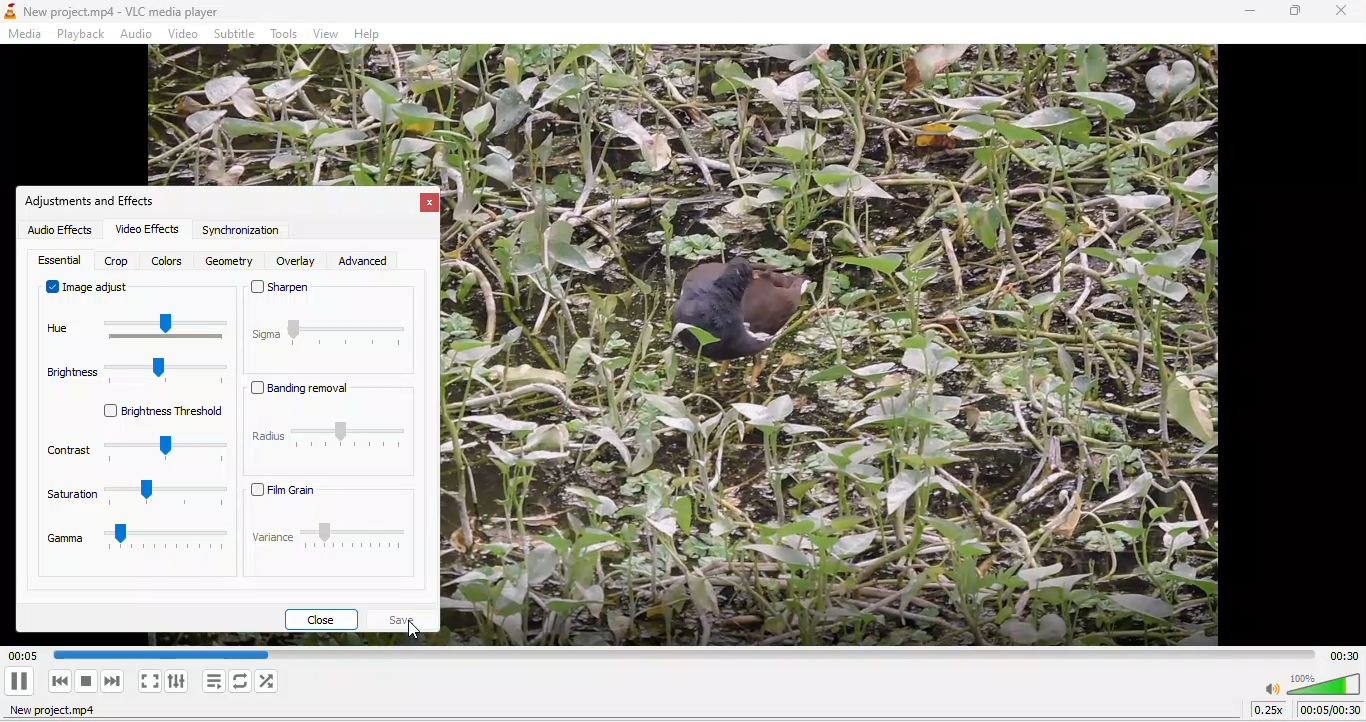  I want to click on tools, so click(286, 35).